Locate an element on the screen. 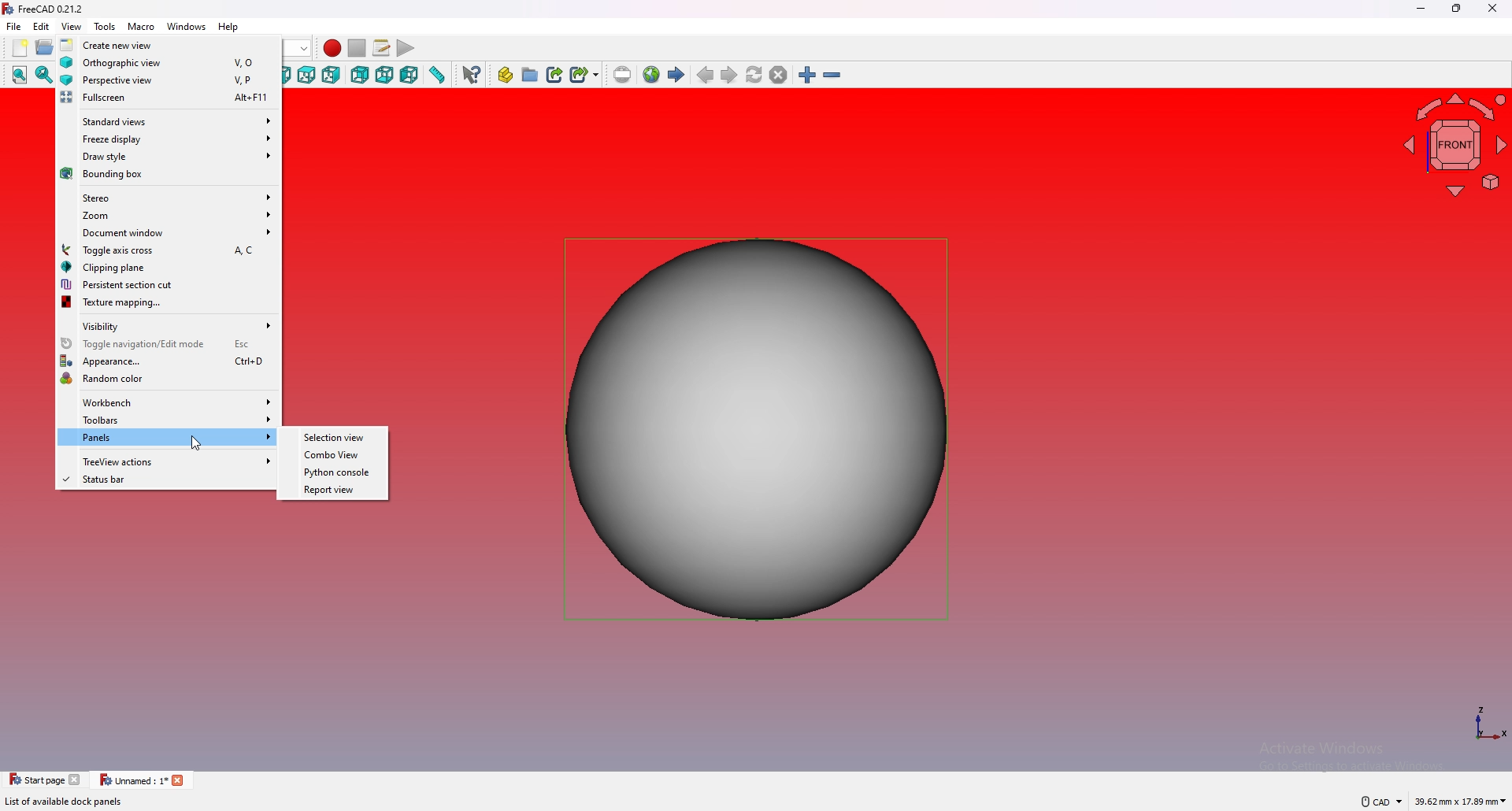  fit all is located at coordinates (20, 76).